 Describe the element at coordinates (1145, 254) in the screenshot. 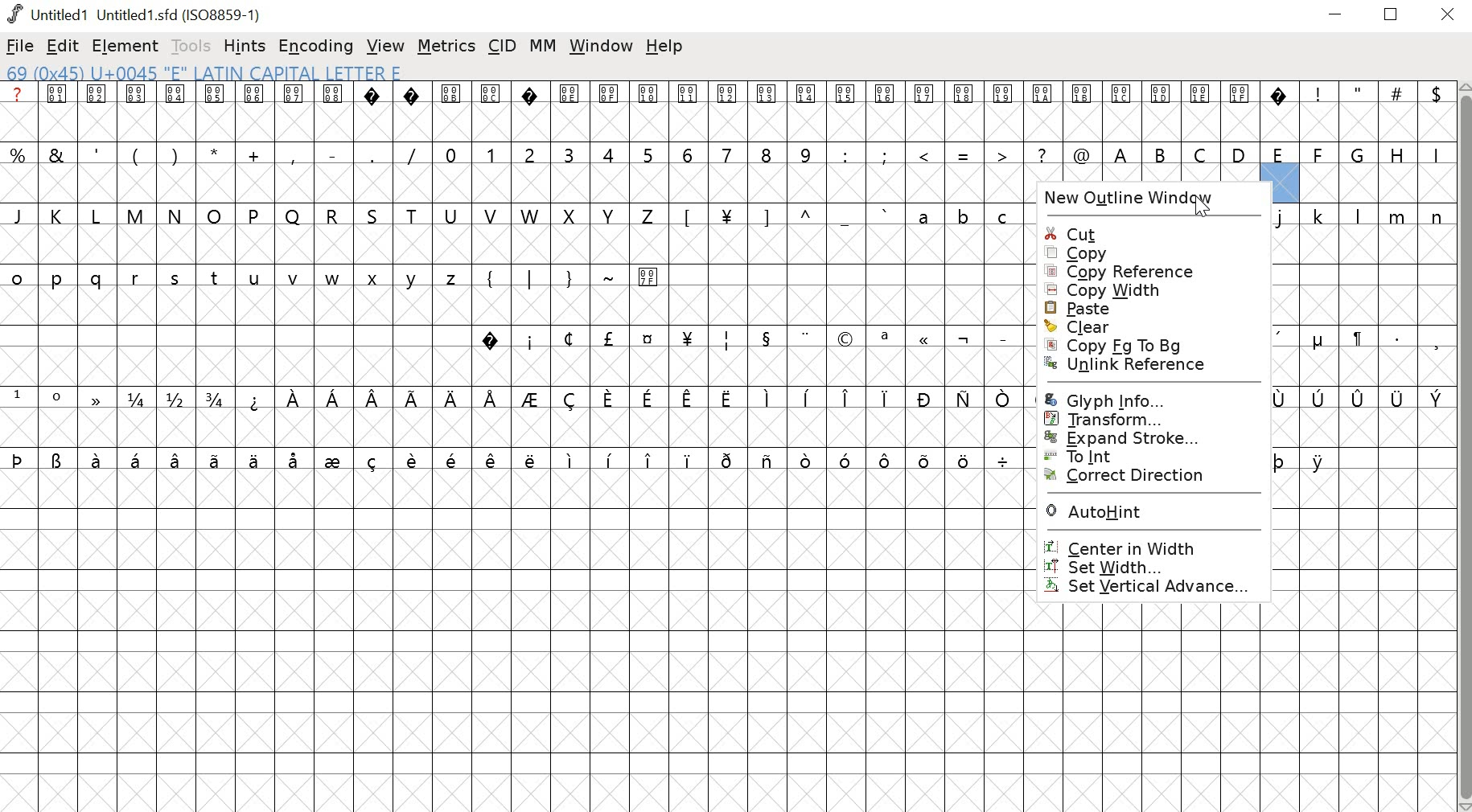

I see `COPY` at that location.